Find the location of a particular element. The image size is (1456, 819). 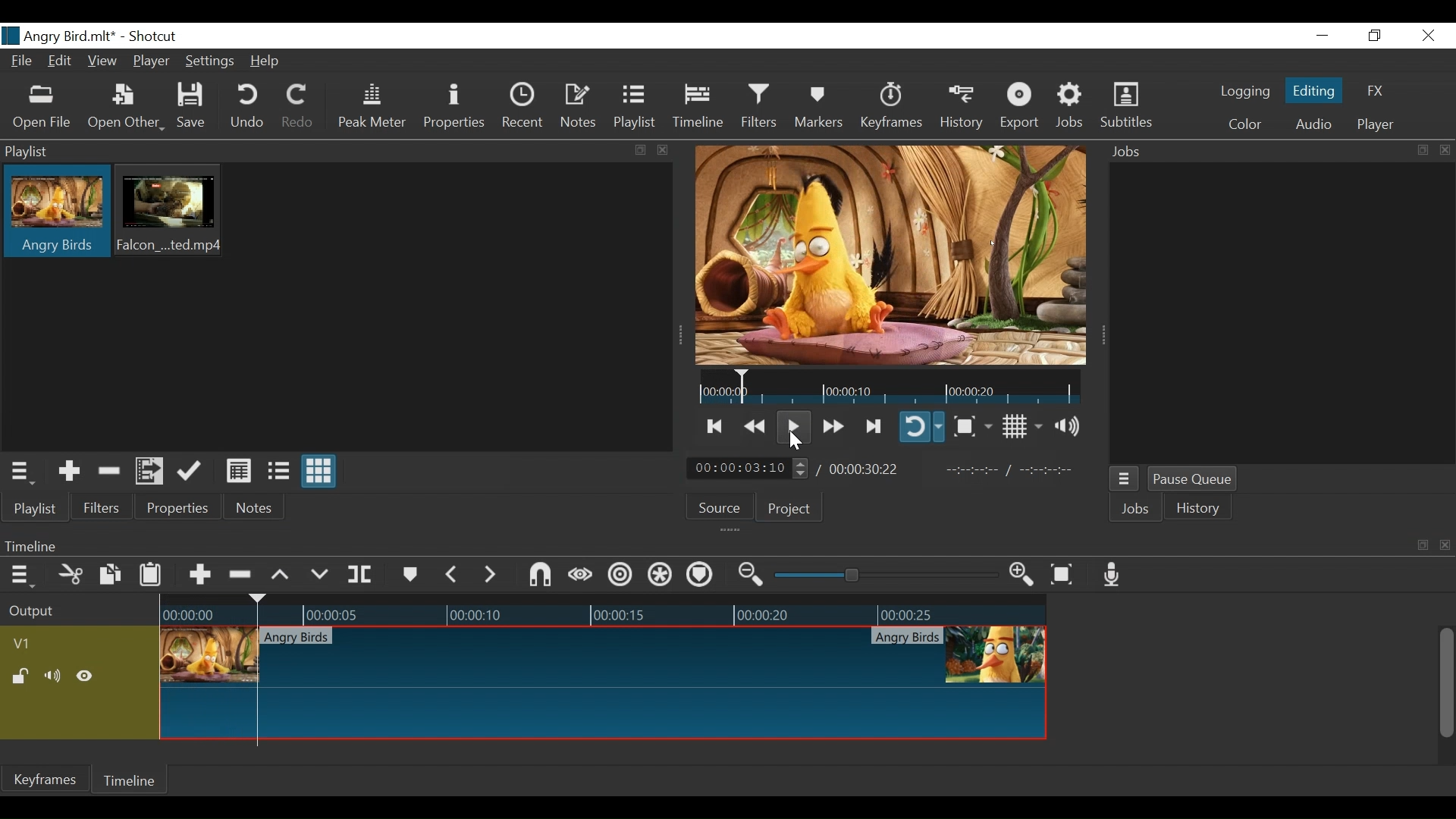

Jobs is located at coordinates (1135, 508).